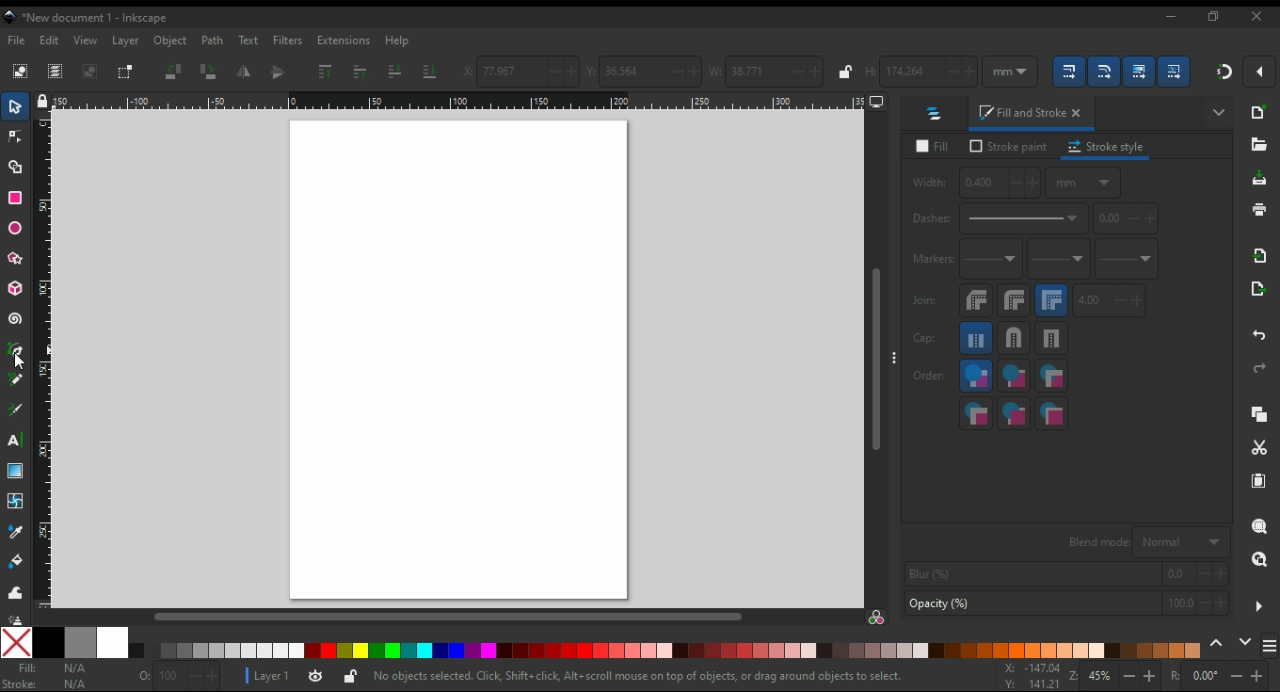 The width and height of the screenshot is (1280, 692). Describe the element at coordinates (448, 617) in the screenshot. I see `scroll bar` at that location.